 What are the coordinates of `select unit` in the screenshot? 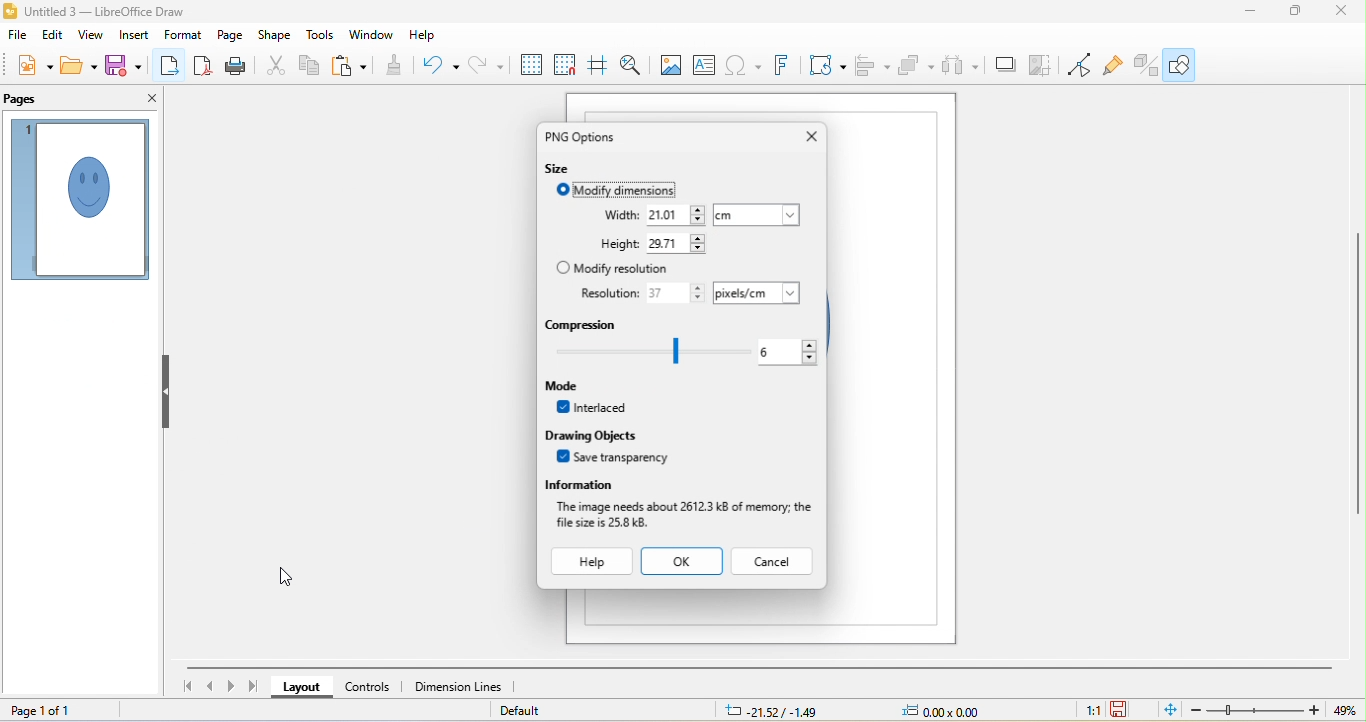 It's located at (761, 294).